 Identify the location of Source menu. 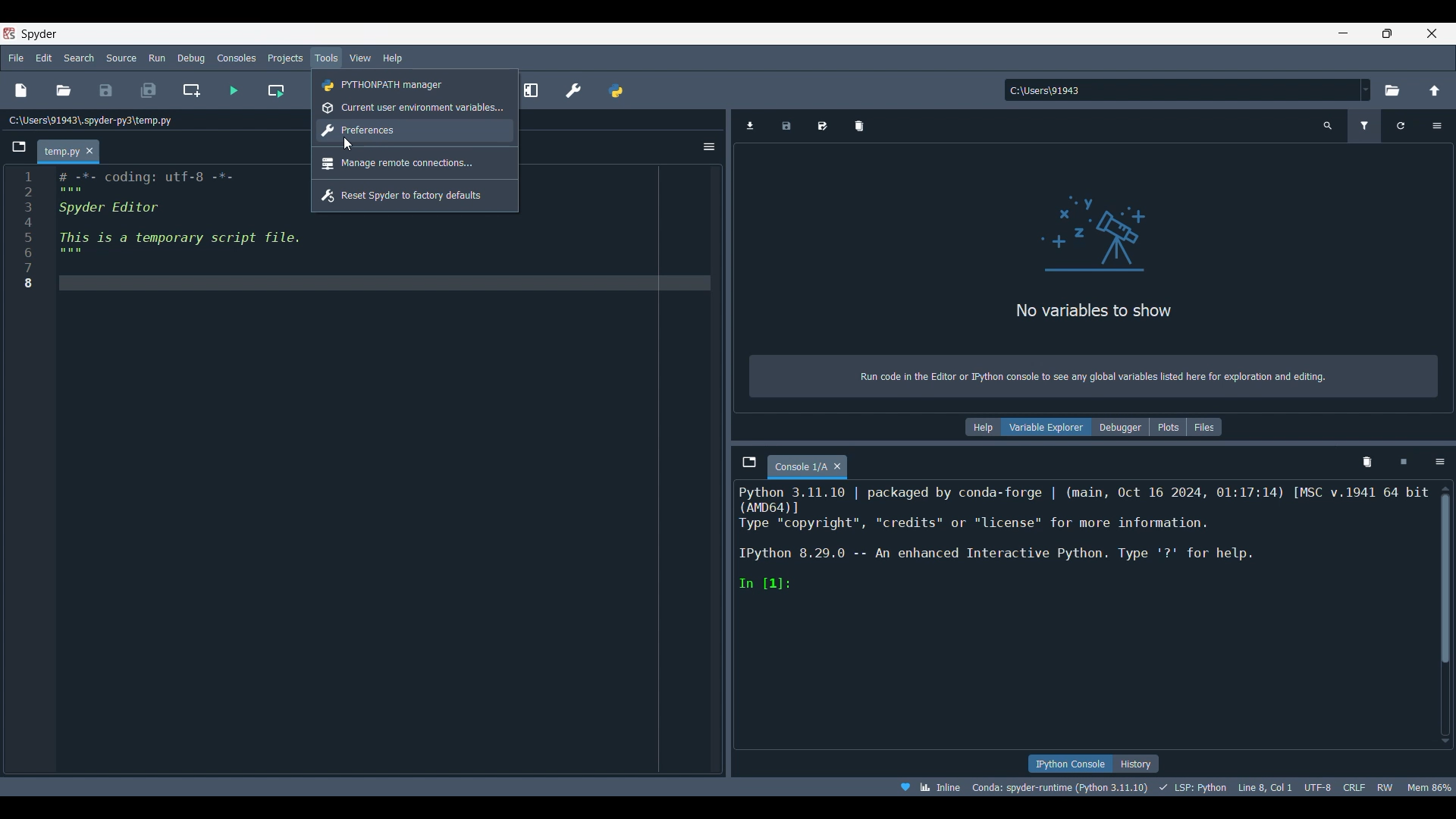
(122, 57).